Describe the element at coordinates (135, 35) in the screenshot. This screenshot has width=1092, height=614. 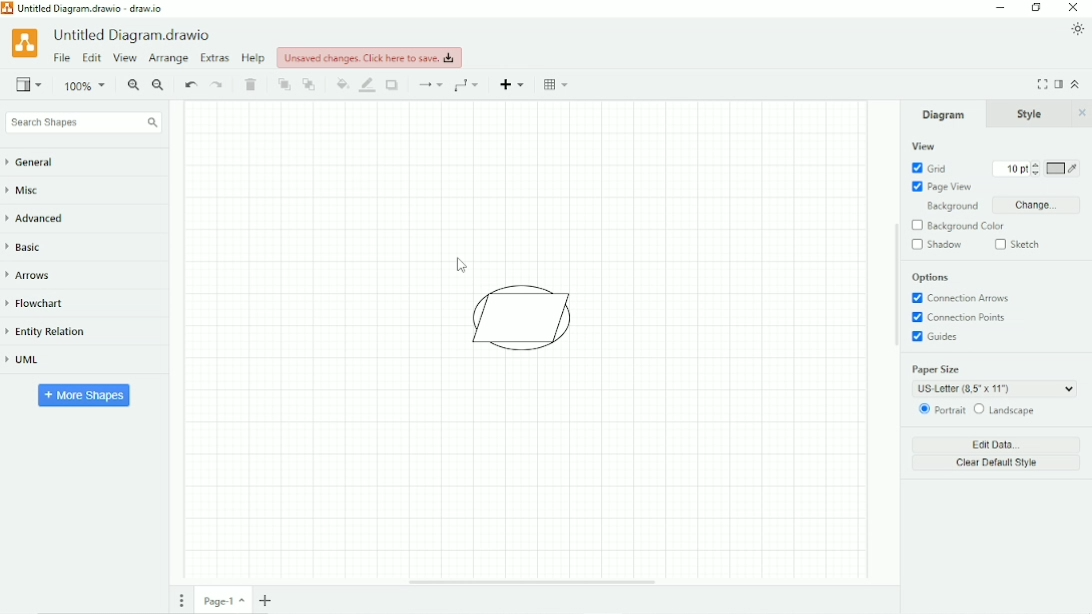
I see `Title` at that location.